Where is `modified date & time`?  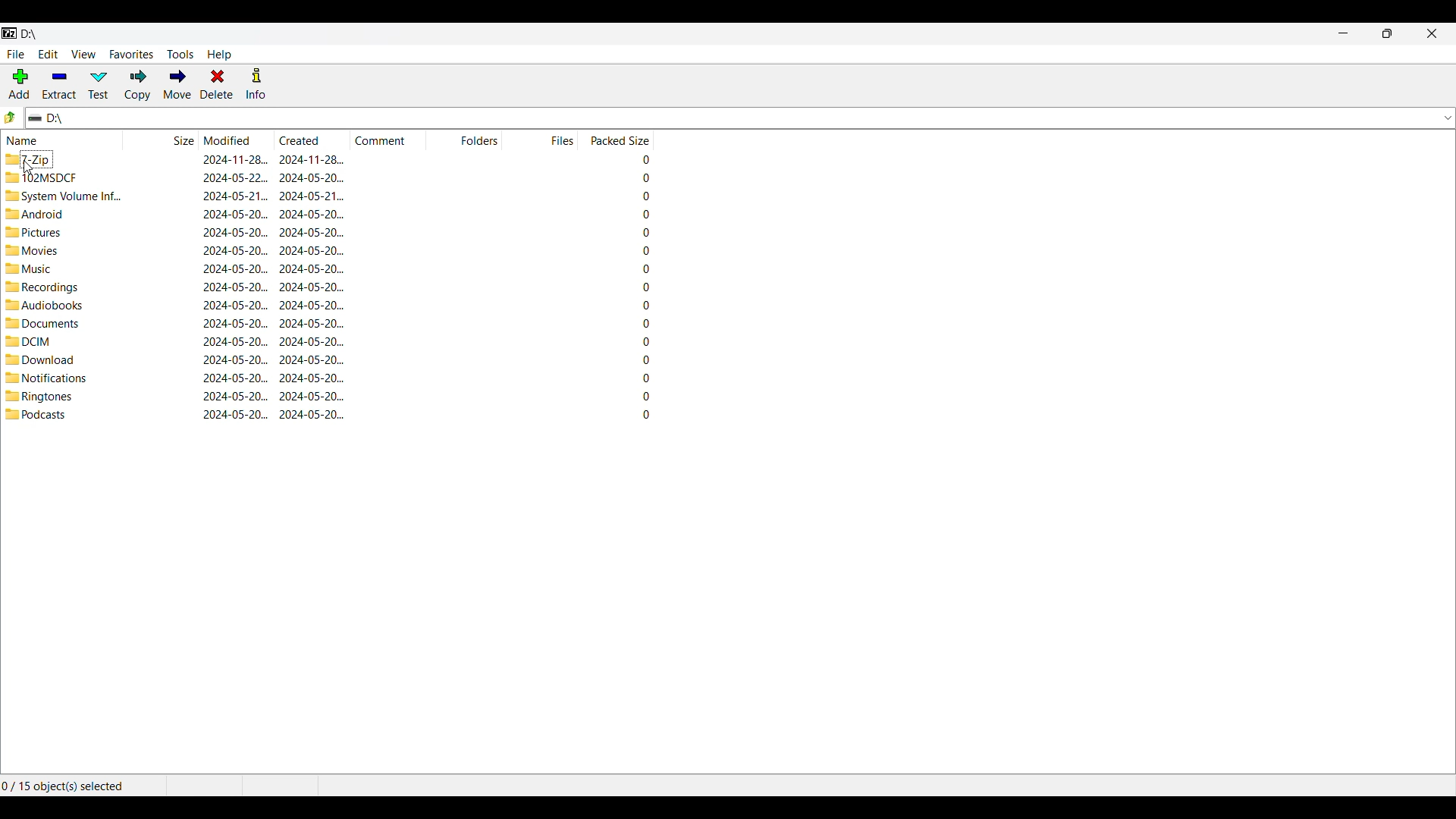
modified date & time is located at coordinates (235, 214).